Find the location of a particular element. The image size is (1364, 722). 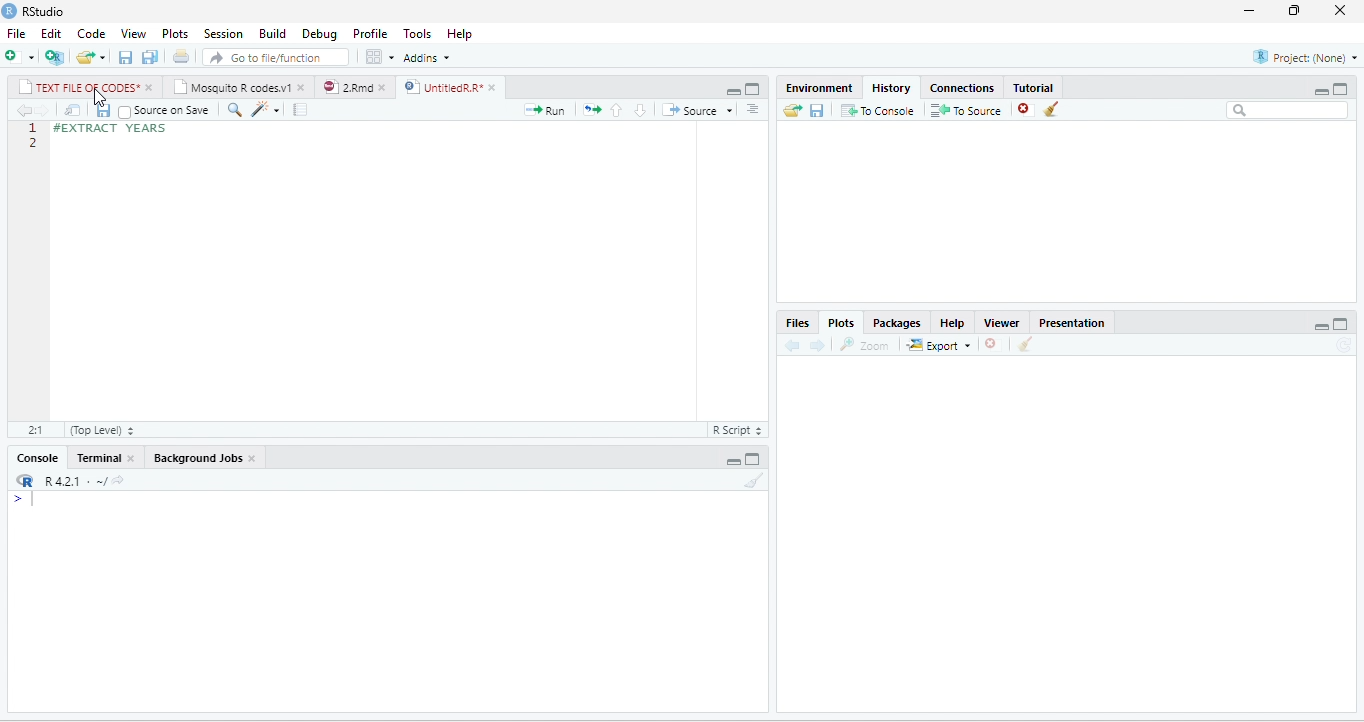

Console is located at coordinates (37, 458).